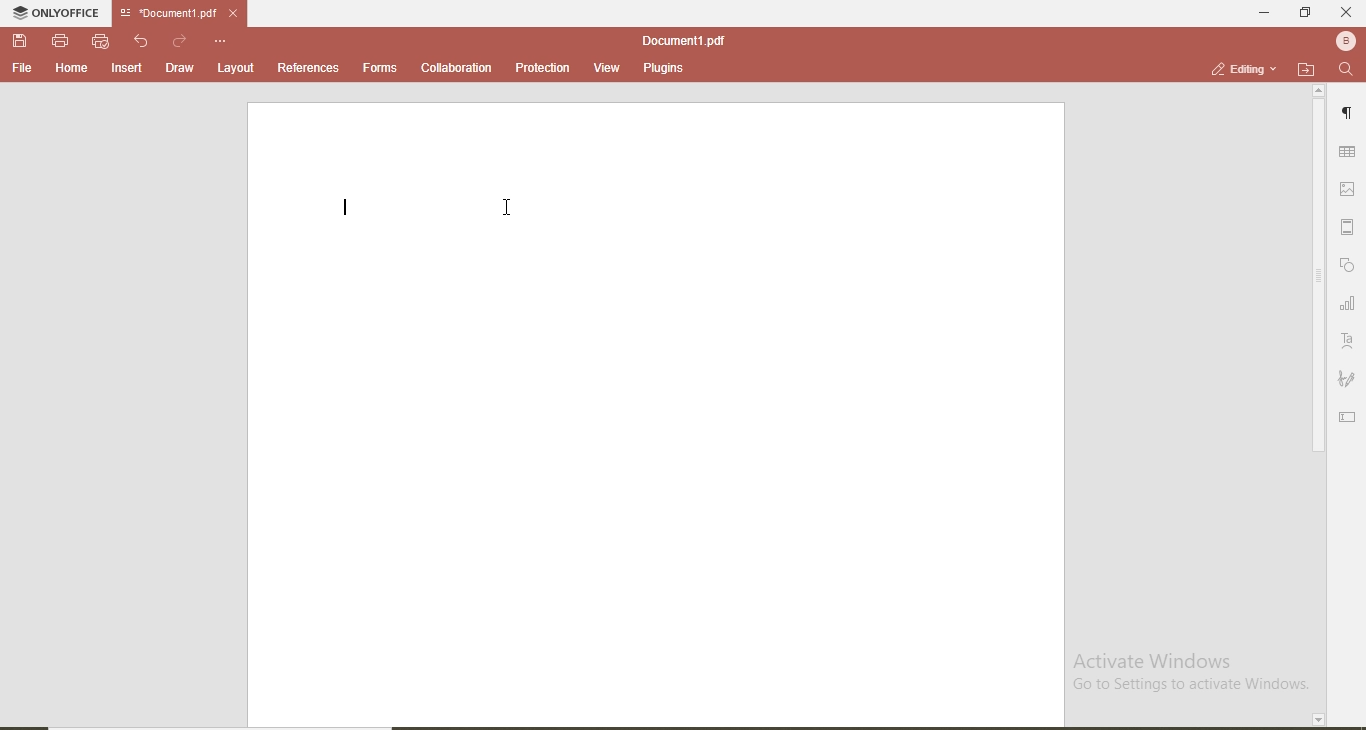  Describe the element at coordinates (1350, 338) in the screenshot. I see `text` at that location.